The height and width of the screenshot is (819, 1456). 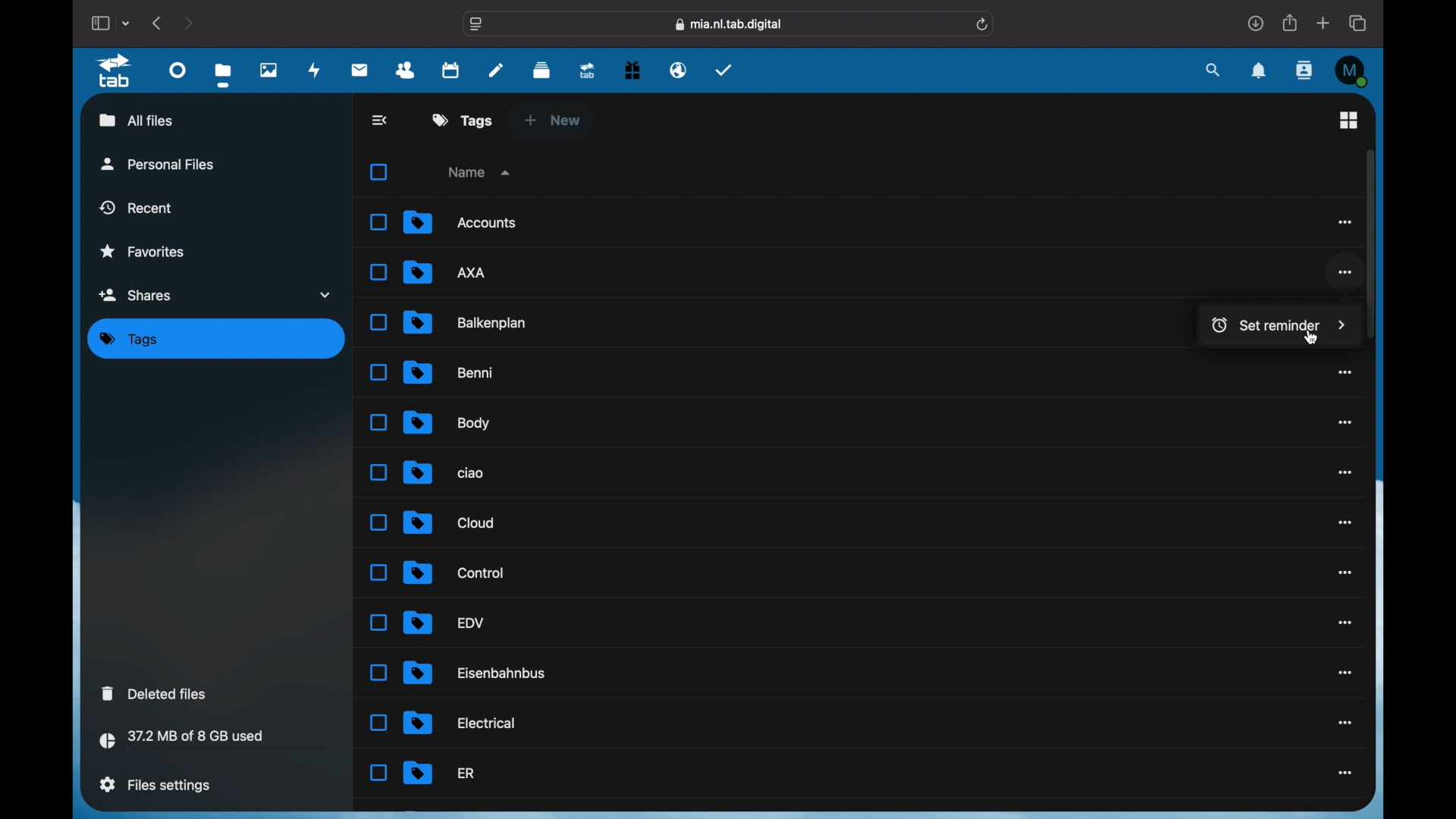 What do you see at coordinates (315, 70) in the screenshot?
I see `activity` at bounding box center [315, 70].